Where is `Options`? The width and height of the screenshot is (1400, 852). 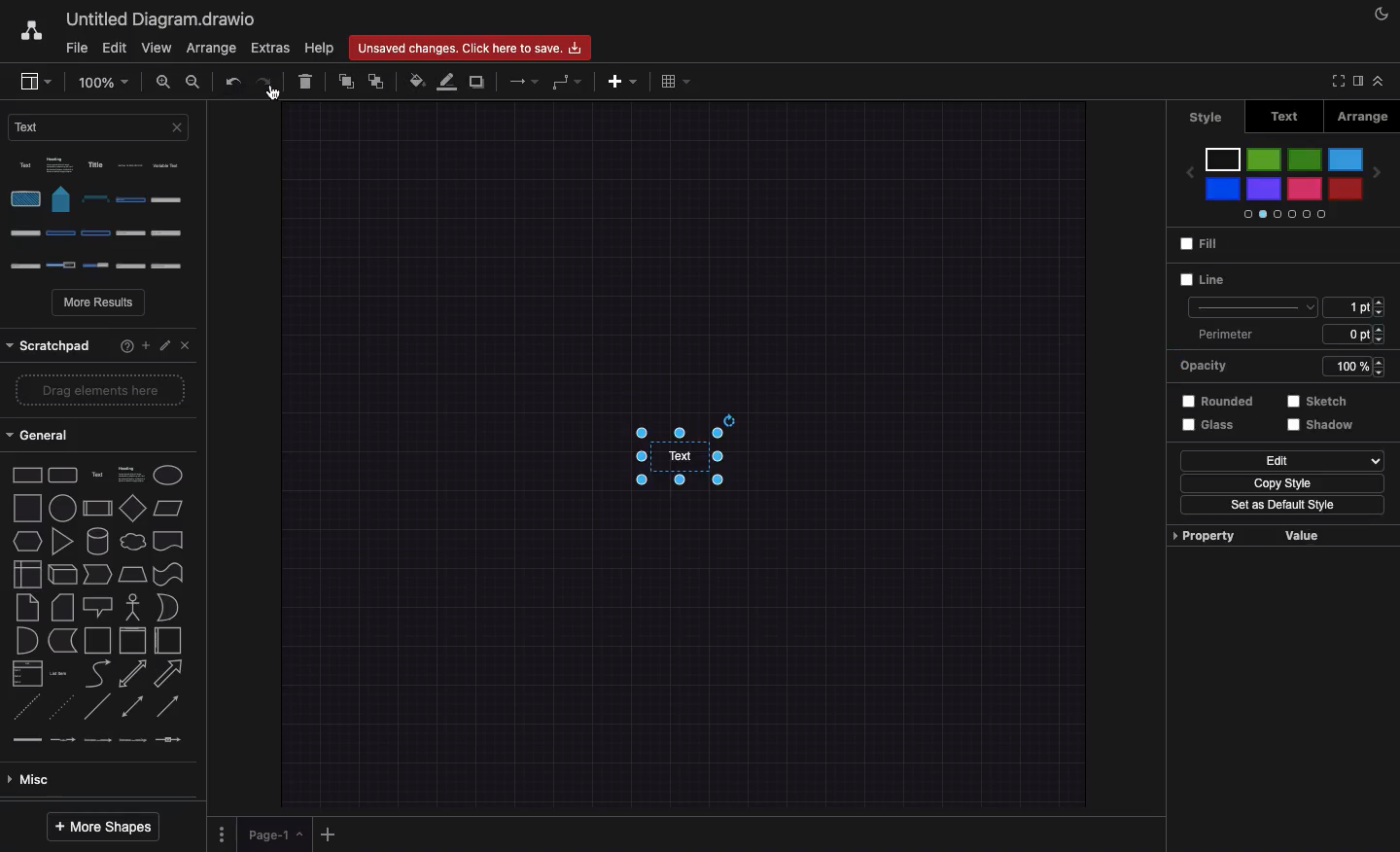 Options is located at coordinates (221, 832).